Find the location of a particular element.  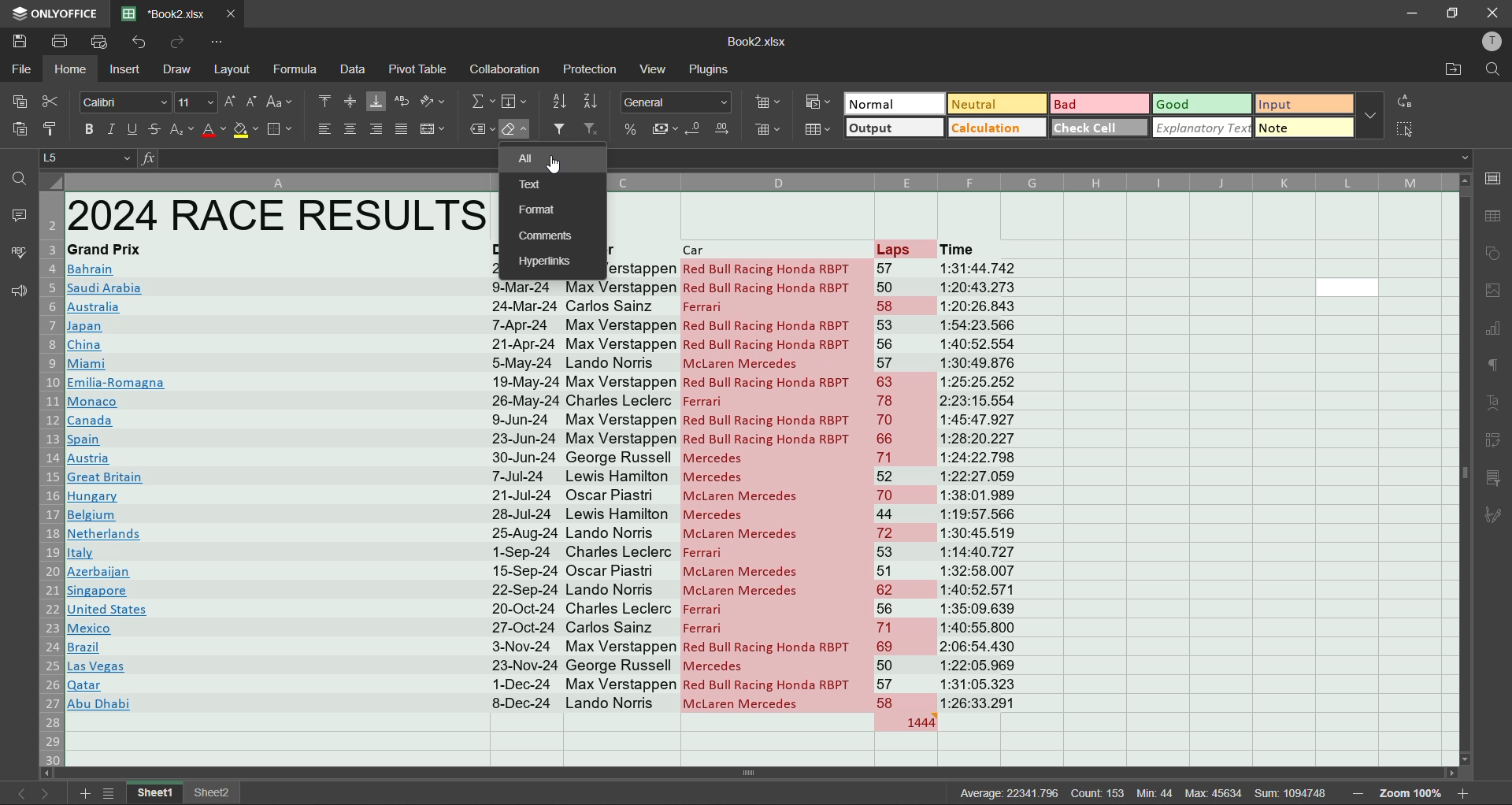

paragraph is located at coordinates (1489, 366).